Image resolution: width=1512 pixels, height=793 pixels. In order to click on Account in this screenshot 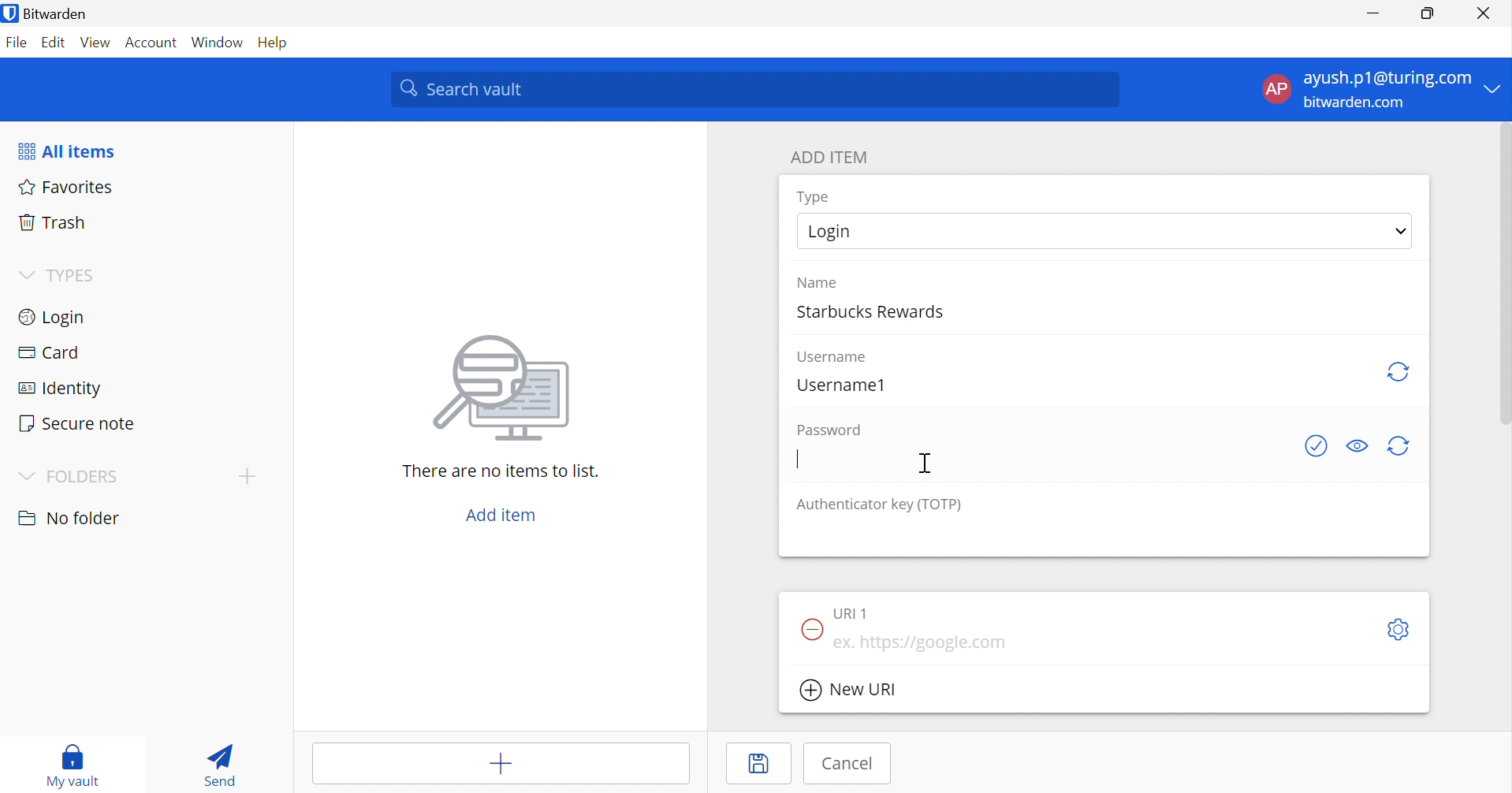, I will do `click(154, 43)`.